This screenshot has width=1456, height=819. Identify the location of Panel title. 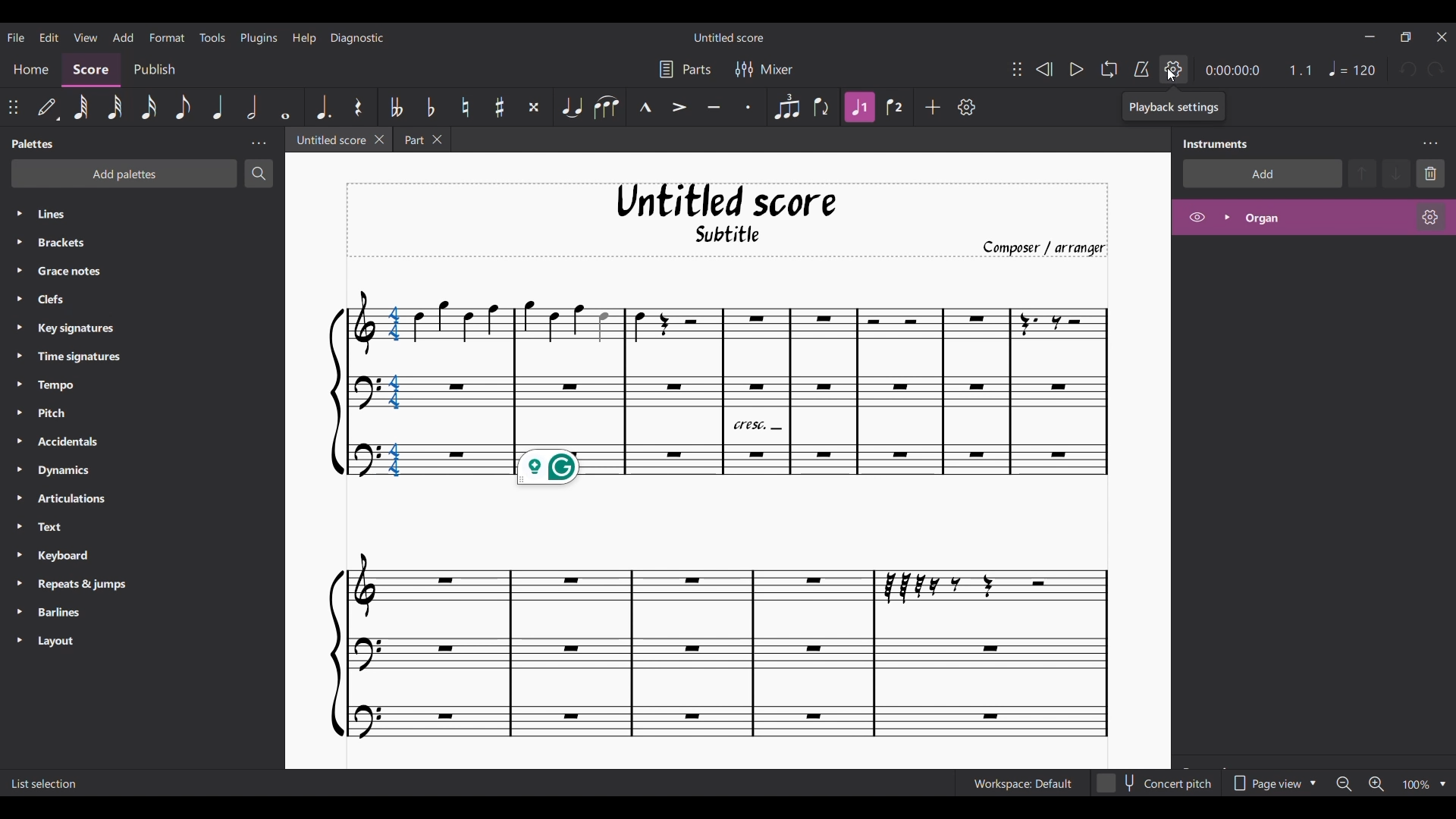
(1216, 143).